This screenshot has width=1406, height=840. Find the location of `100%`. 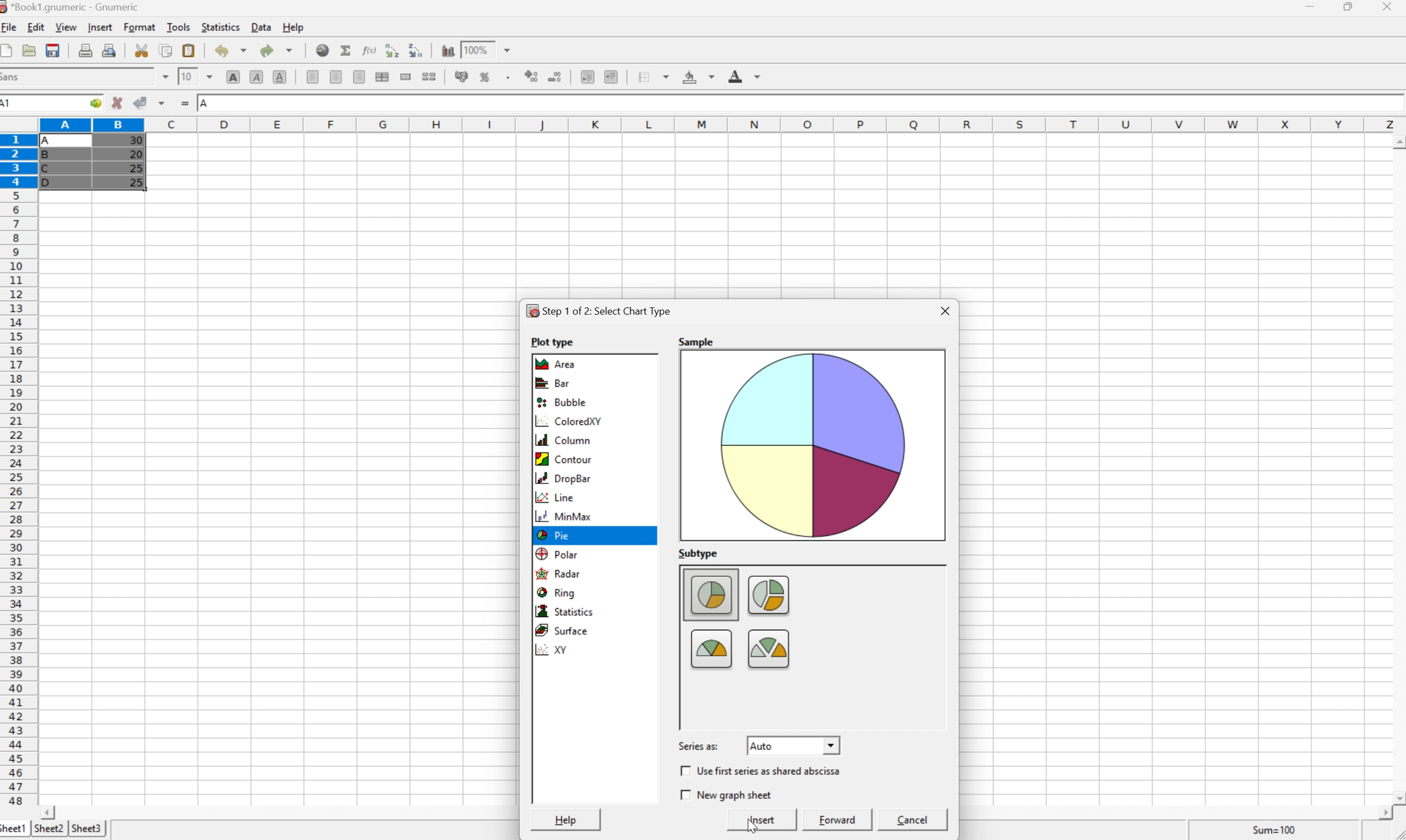

100% is located at coordinates (475, 49).